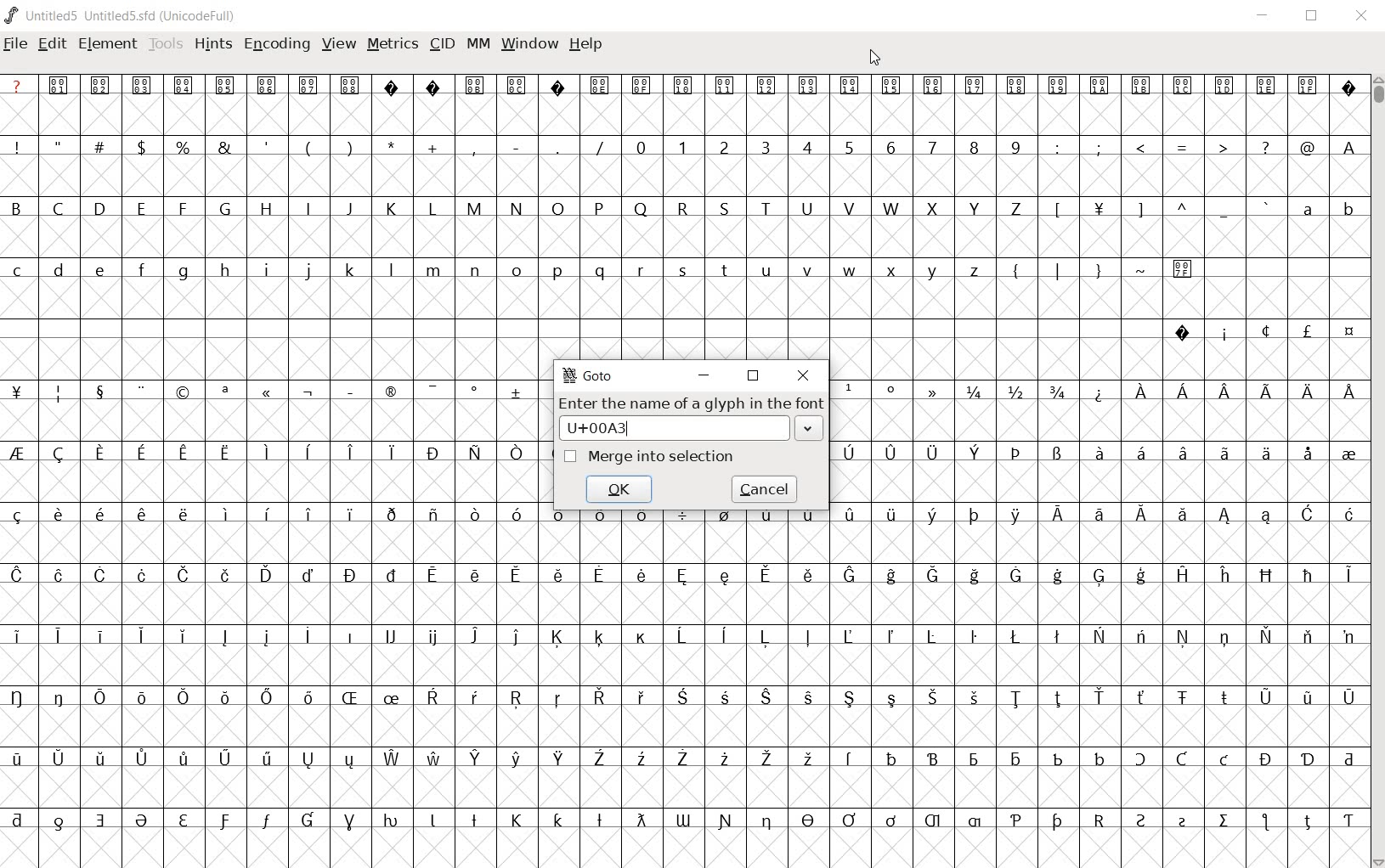 This screenshot has height=868, width=1385. Describe the element at coordinates (99, 207) in the screenshot. I see `D` at that location.